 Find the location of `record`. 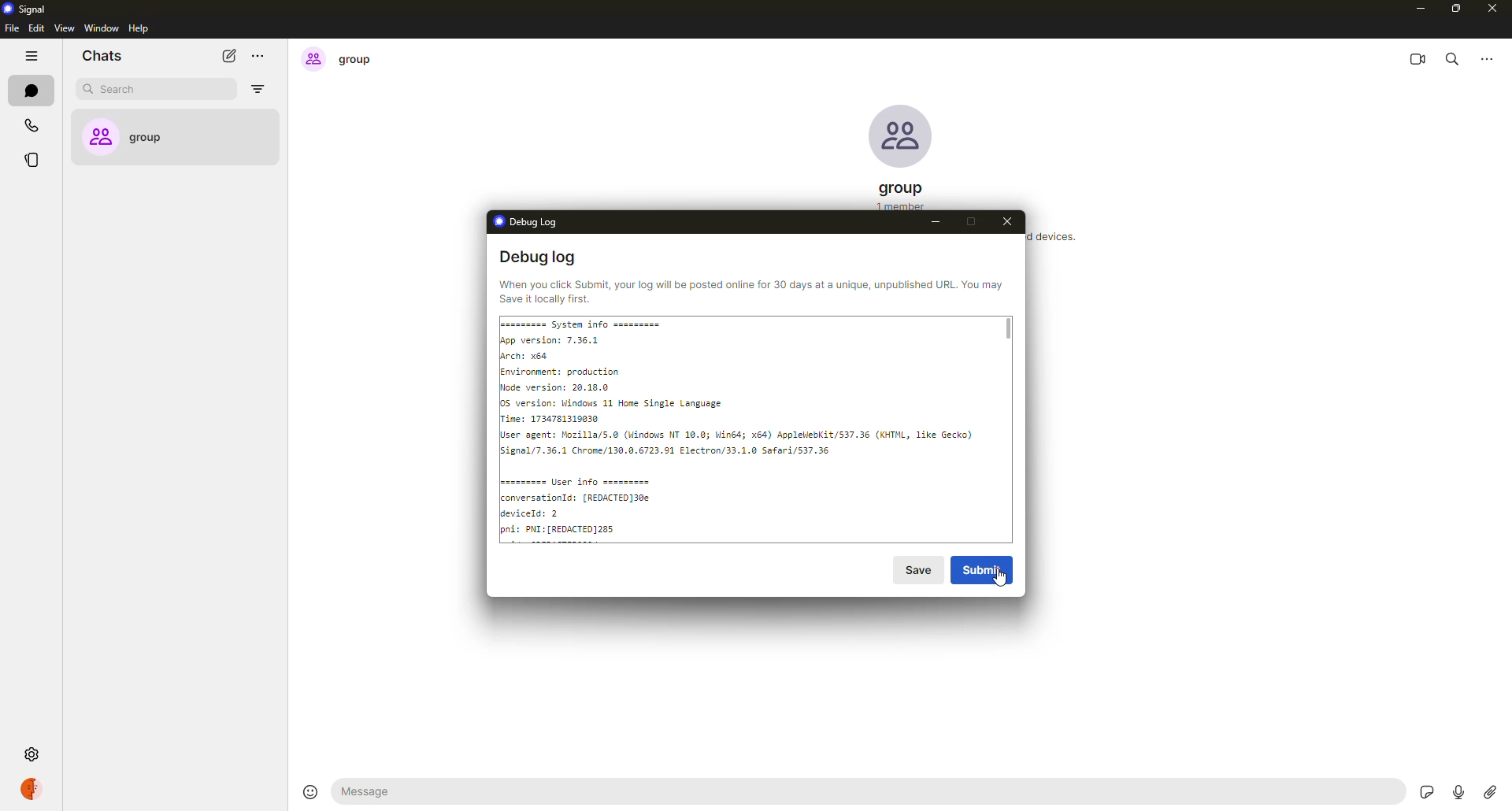

record is located at coordinates (1456, 791).